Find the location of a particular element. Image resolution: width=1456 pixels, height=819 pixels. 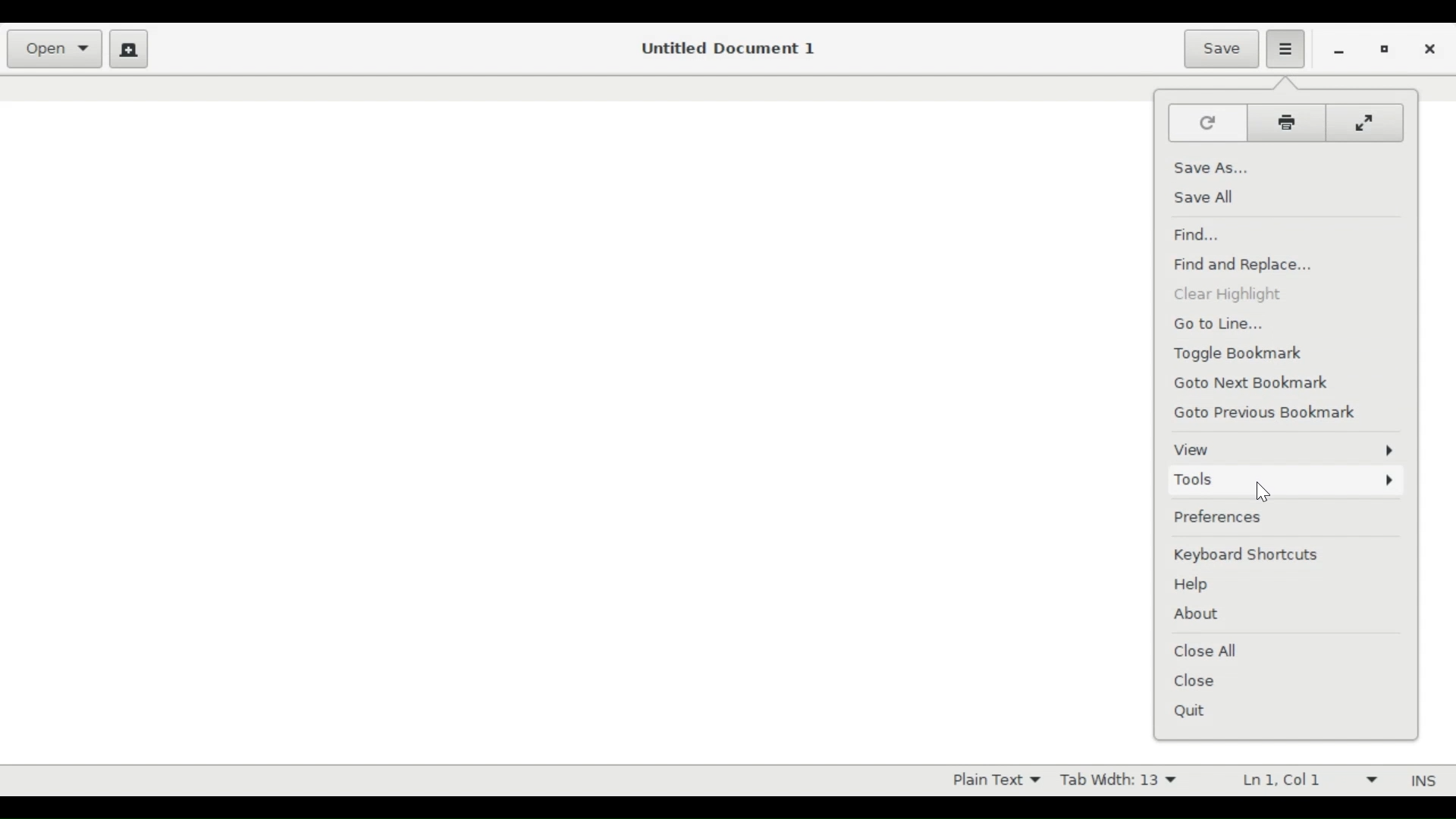

Find and Replace is located at coordinates (1247, 266).